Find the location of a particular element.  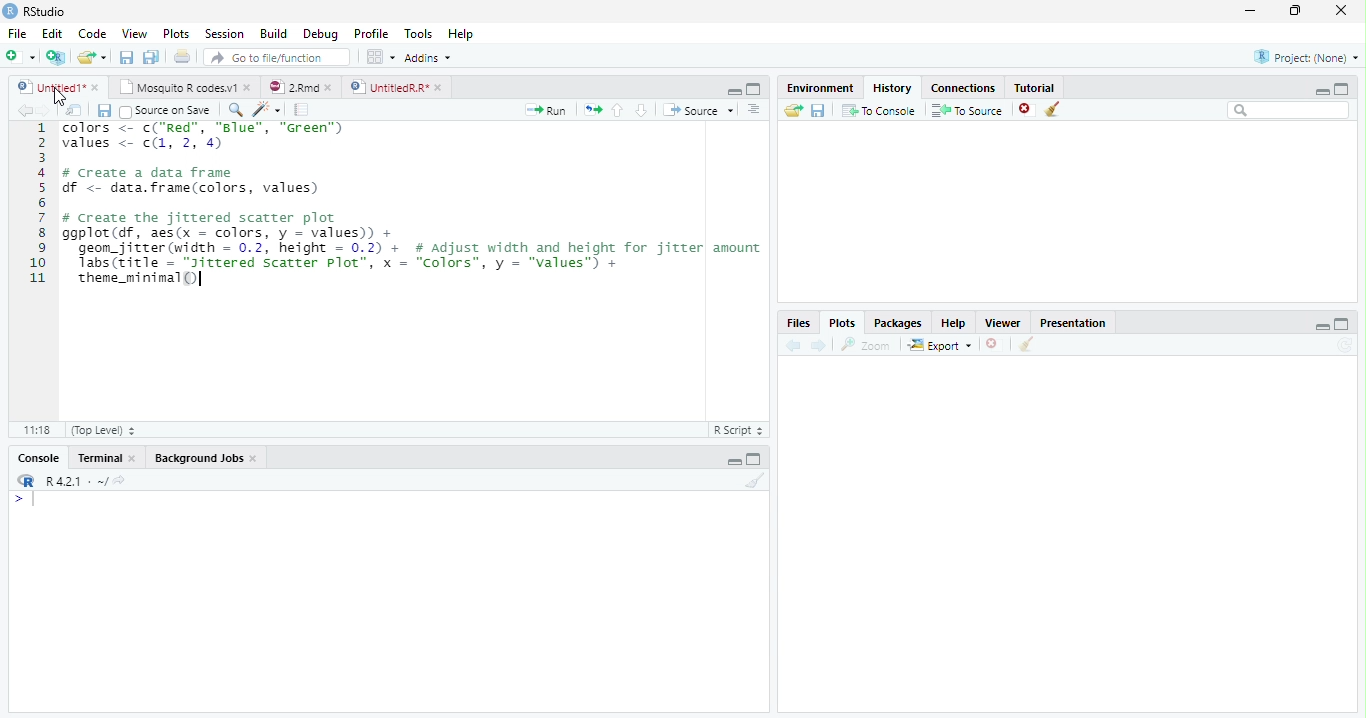

Console is located at coordinates (39, 457).